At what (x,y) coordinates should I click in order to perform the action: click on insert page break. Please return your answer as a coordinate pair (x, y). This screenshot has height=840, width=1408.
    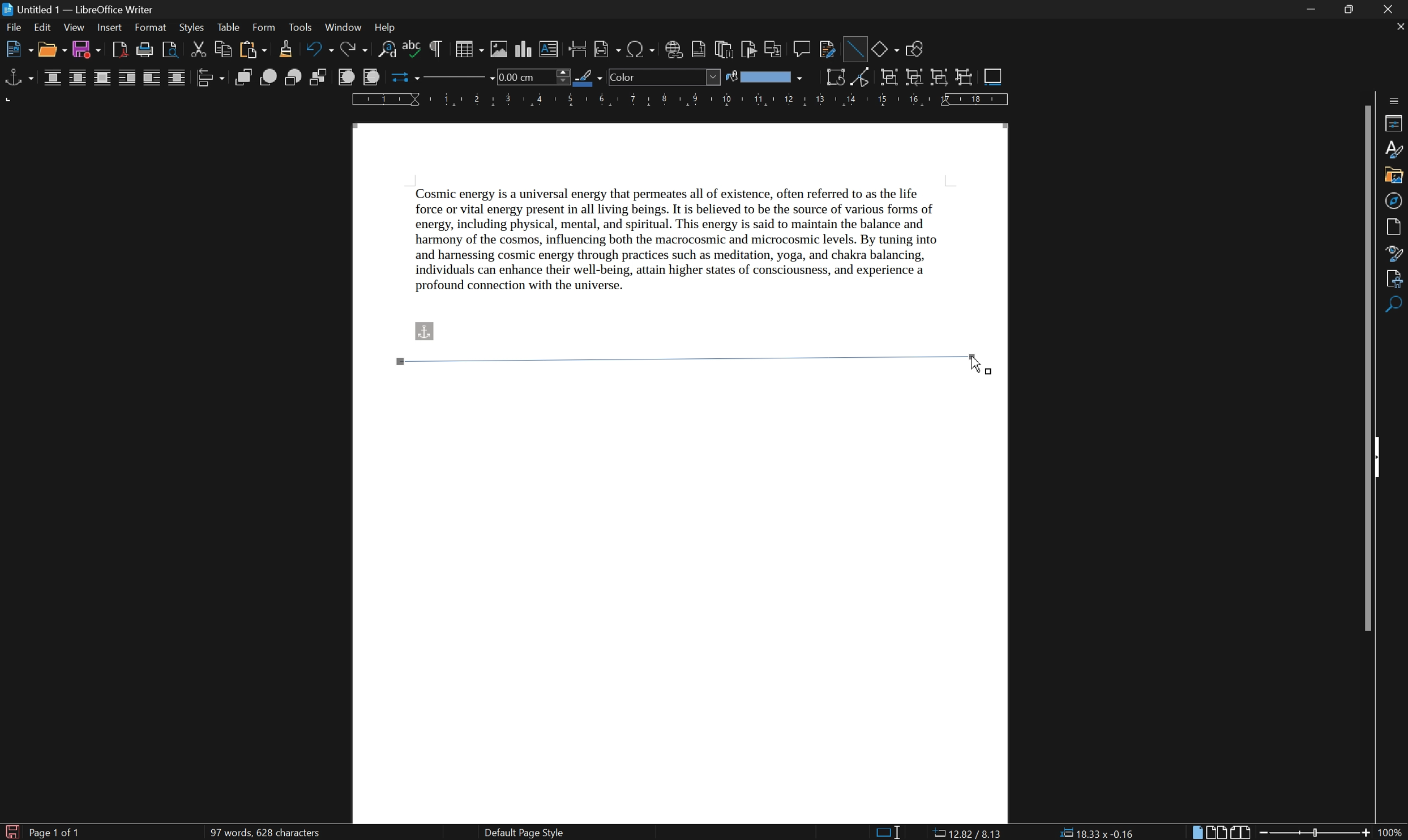
    Looking at the image, I should click on (576, 48).